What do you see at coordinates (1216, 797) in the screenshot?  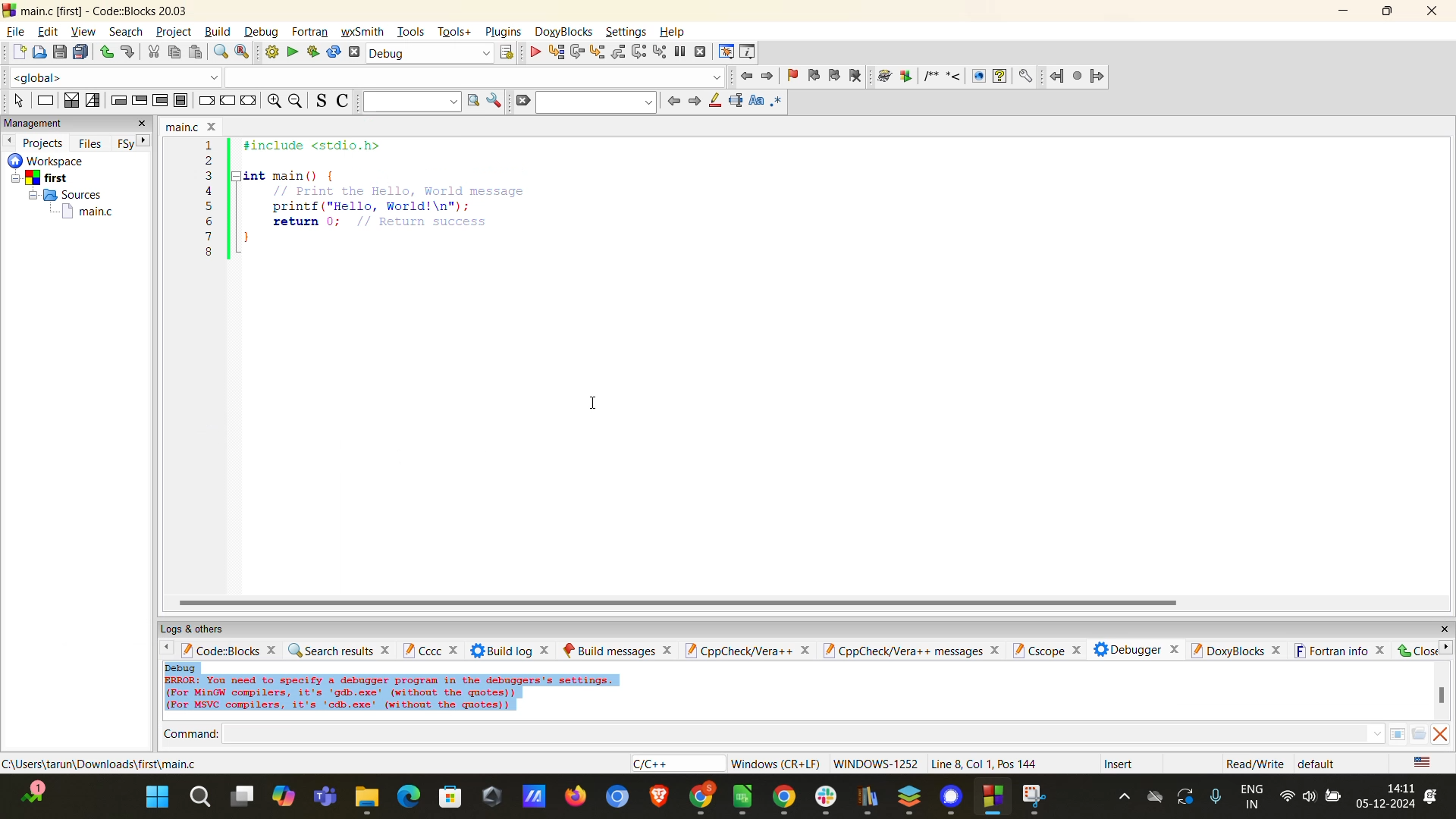 I see `mic` at bounding box center [1216, 797].